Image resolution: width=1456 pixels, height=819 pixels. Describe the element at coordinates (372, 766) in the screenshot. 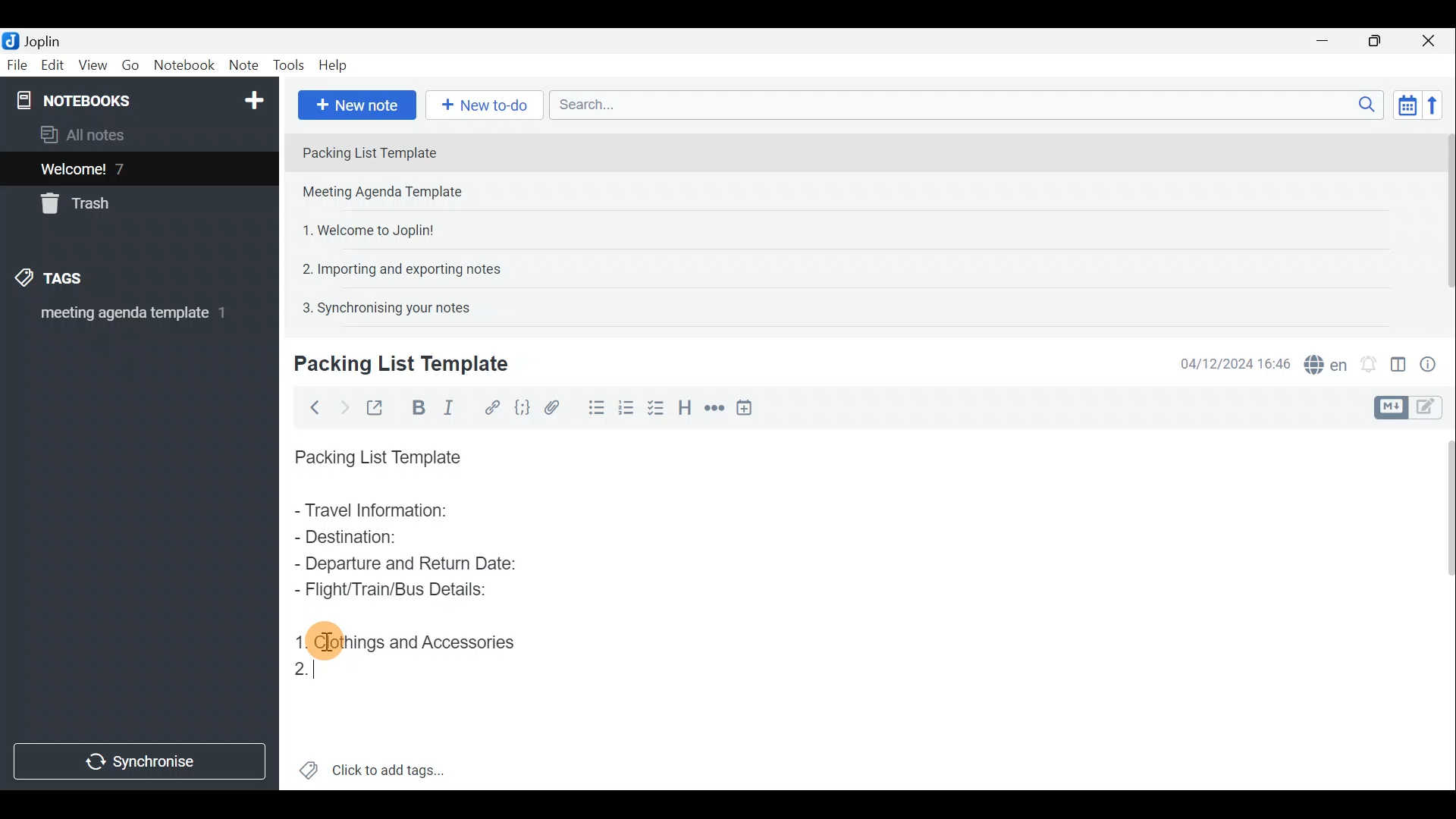

I see `Click to add tags` at that location.